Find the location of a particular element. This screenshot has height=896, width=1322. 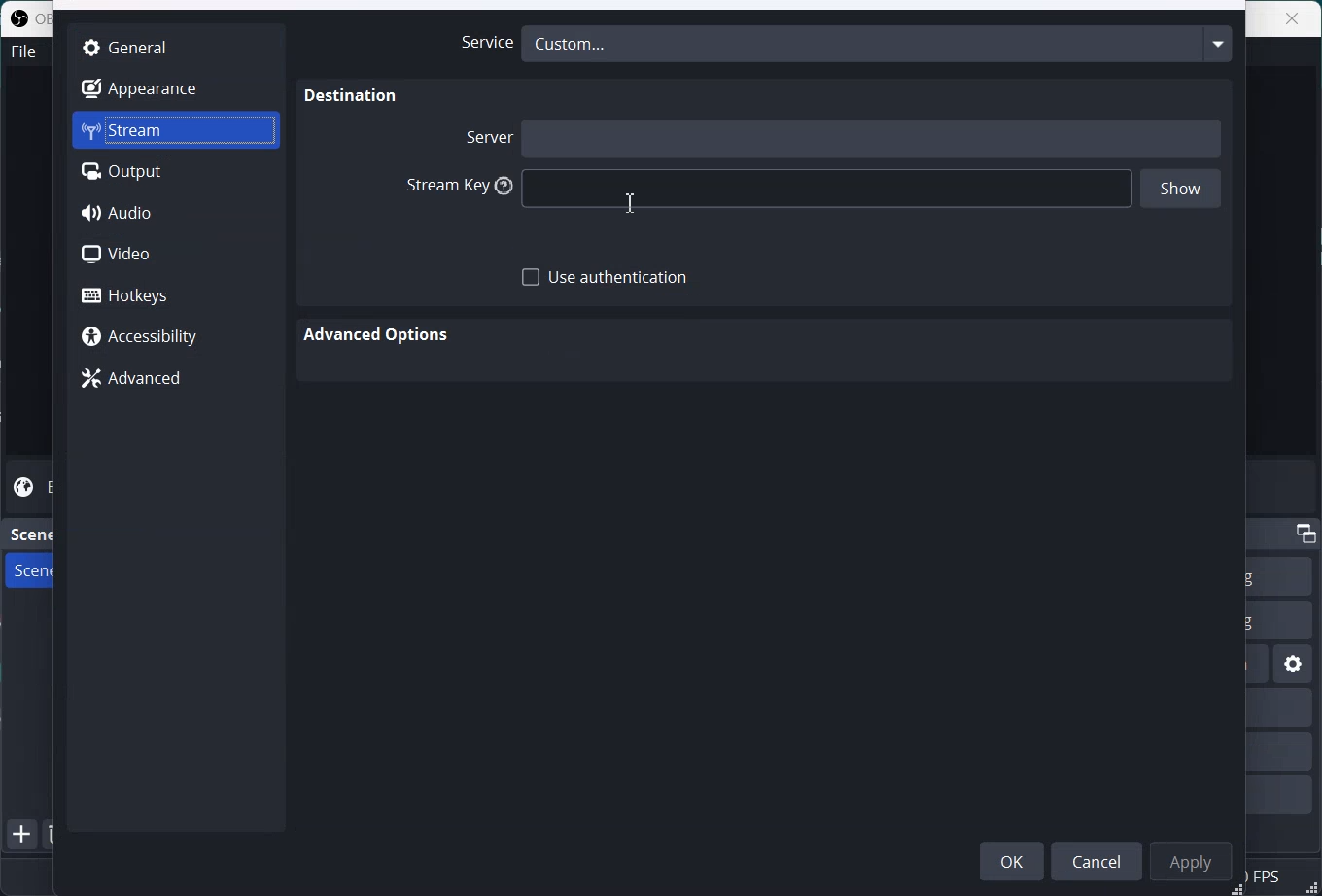

Server name is located at coordinates (873, 137).